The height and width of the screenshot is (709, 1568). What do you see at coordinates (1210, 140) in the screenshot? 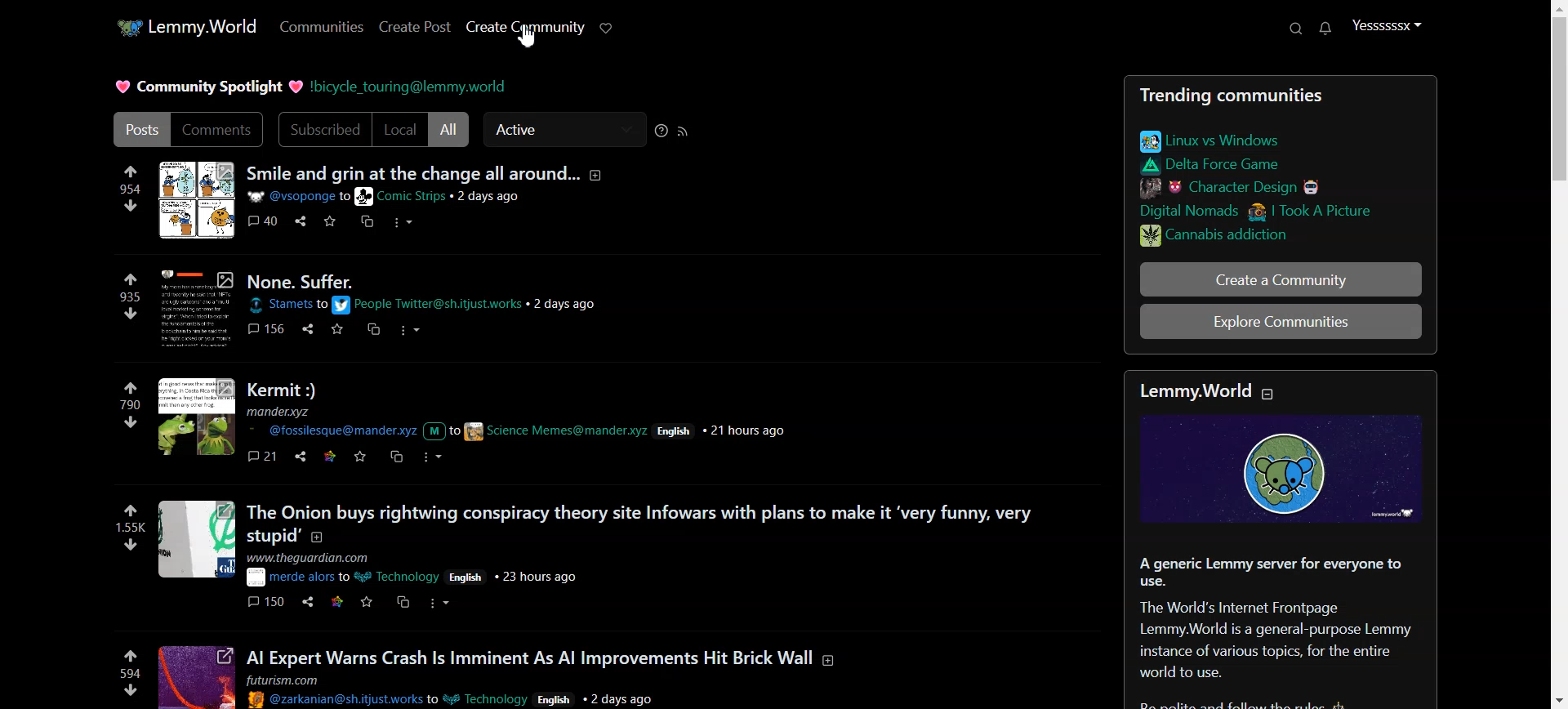
I see `link` at bounding box center [1210, 140].